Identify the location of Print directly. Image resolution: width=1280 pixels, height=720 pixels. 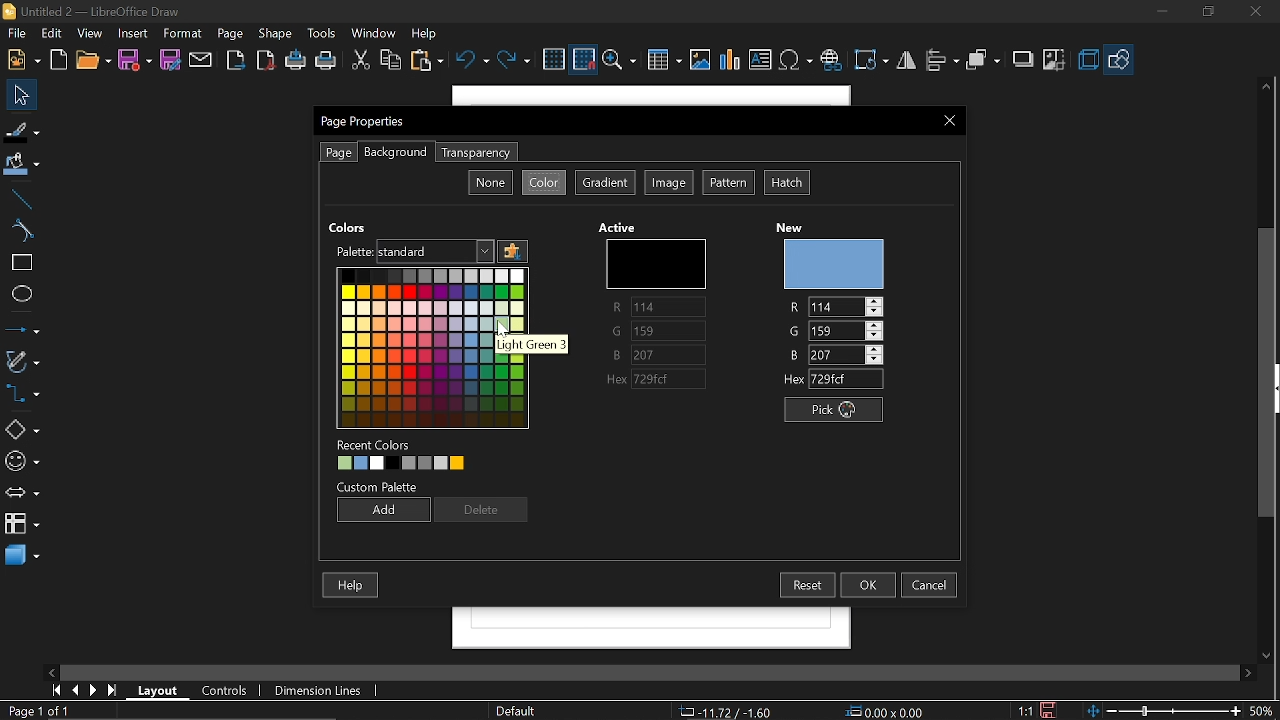
(296, 62).